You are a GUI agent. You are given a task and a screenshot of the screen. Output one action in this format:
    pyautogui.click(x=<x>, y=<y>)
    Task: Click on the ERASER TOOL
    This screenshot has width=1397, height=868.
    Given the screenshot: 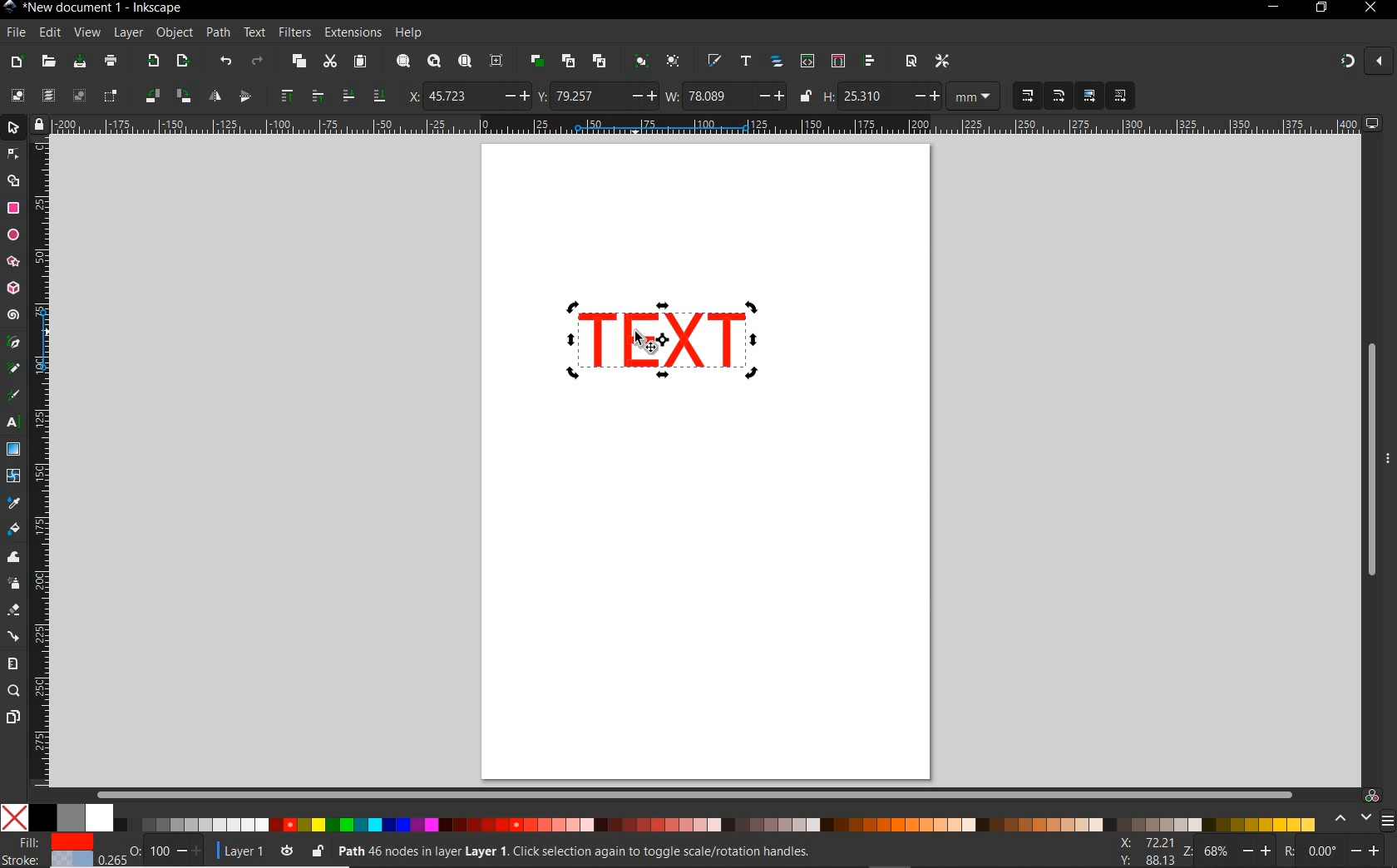 What is the action you would take?
    pyautogui.click(x=15, y=610)
    